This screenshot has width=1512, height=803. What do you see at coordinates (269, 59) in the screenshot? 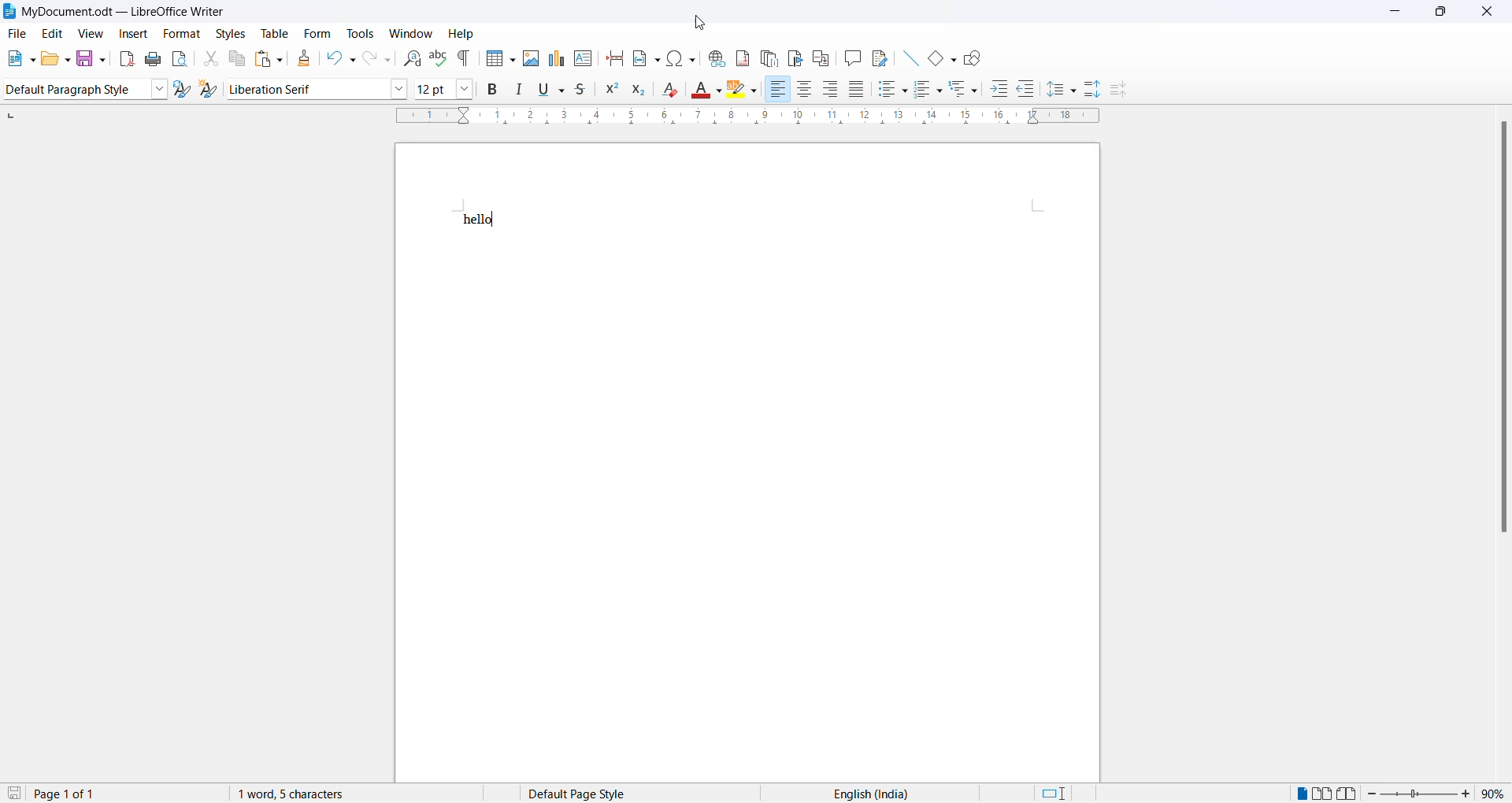
I see `Paste options` at bounding box center [269, 59].